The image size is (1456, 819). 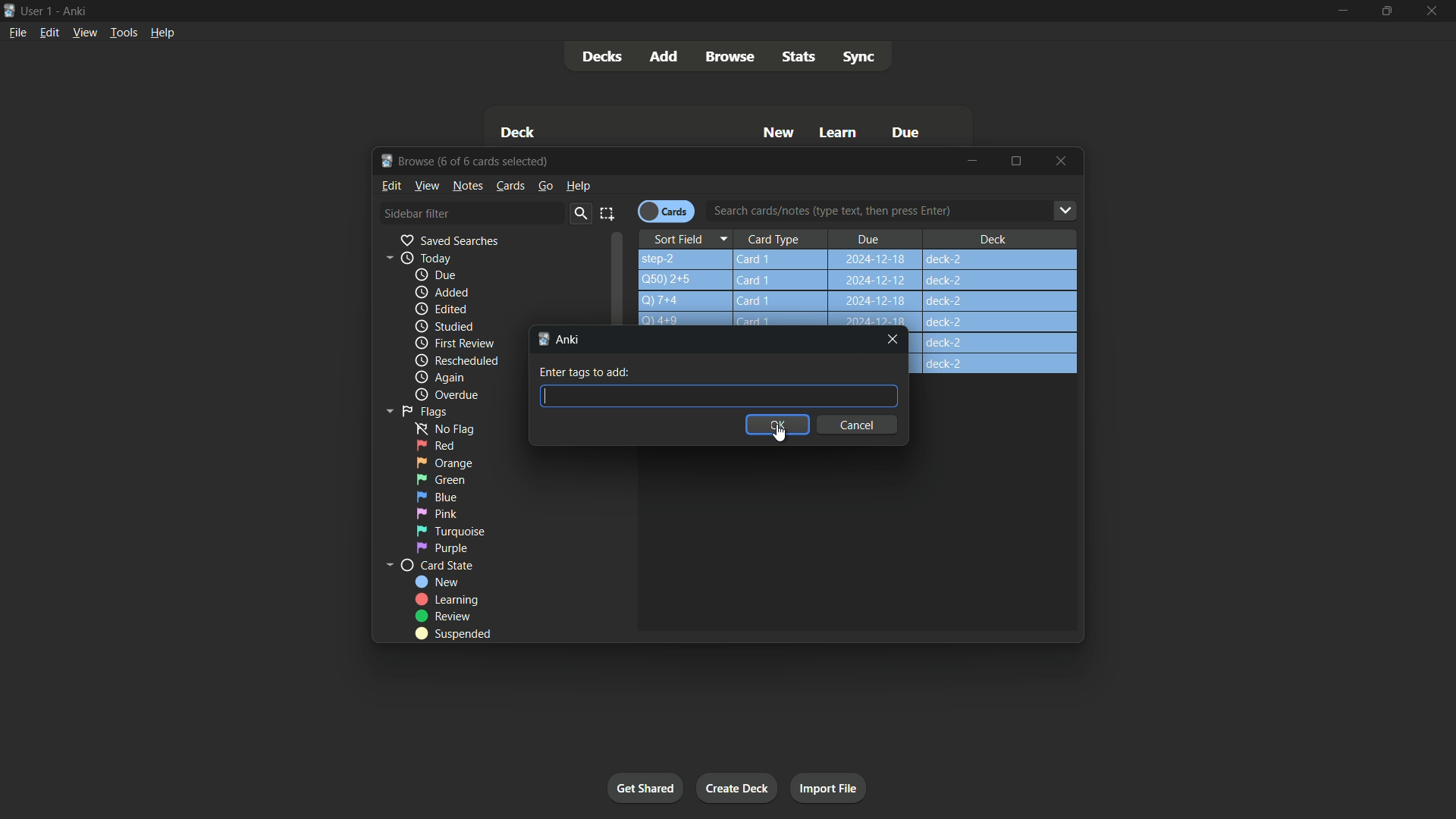 I want to click on User one, so click(x=37, y=11).